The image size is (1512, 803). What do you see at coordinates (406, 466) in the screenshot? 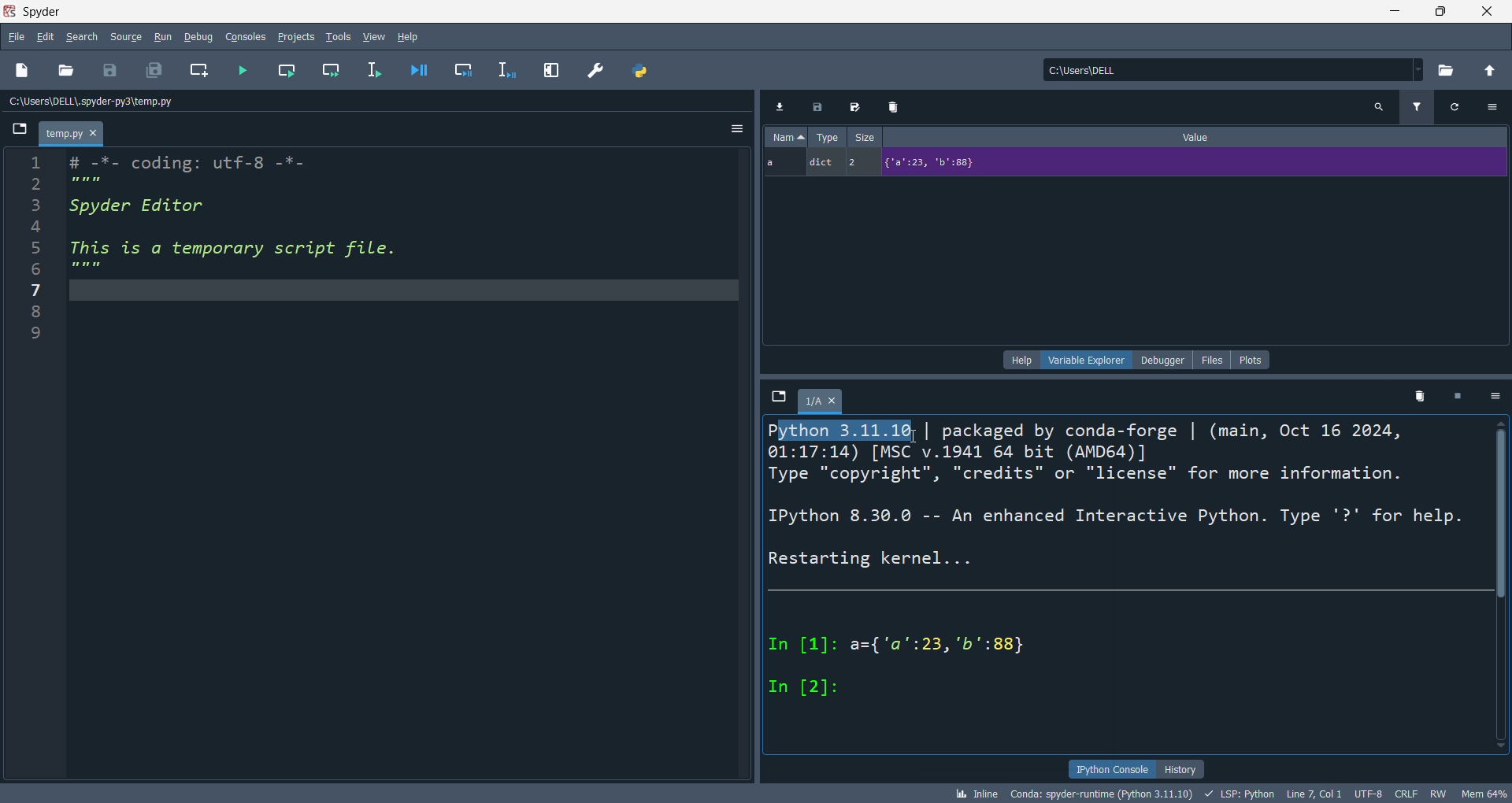
I see `editor Pane` at bounding box center [406, 466].